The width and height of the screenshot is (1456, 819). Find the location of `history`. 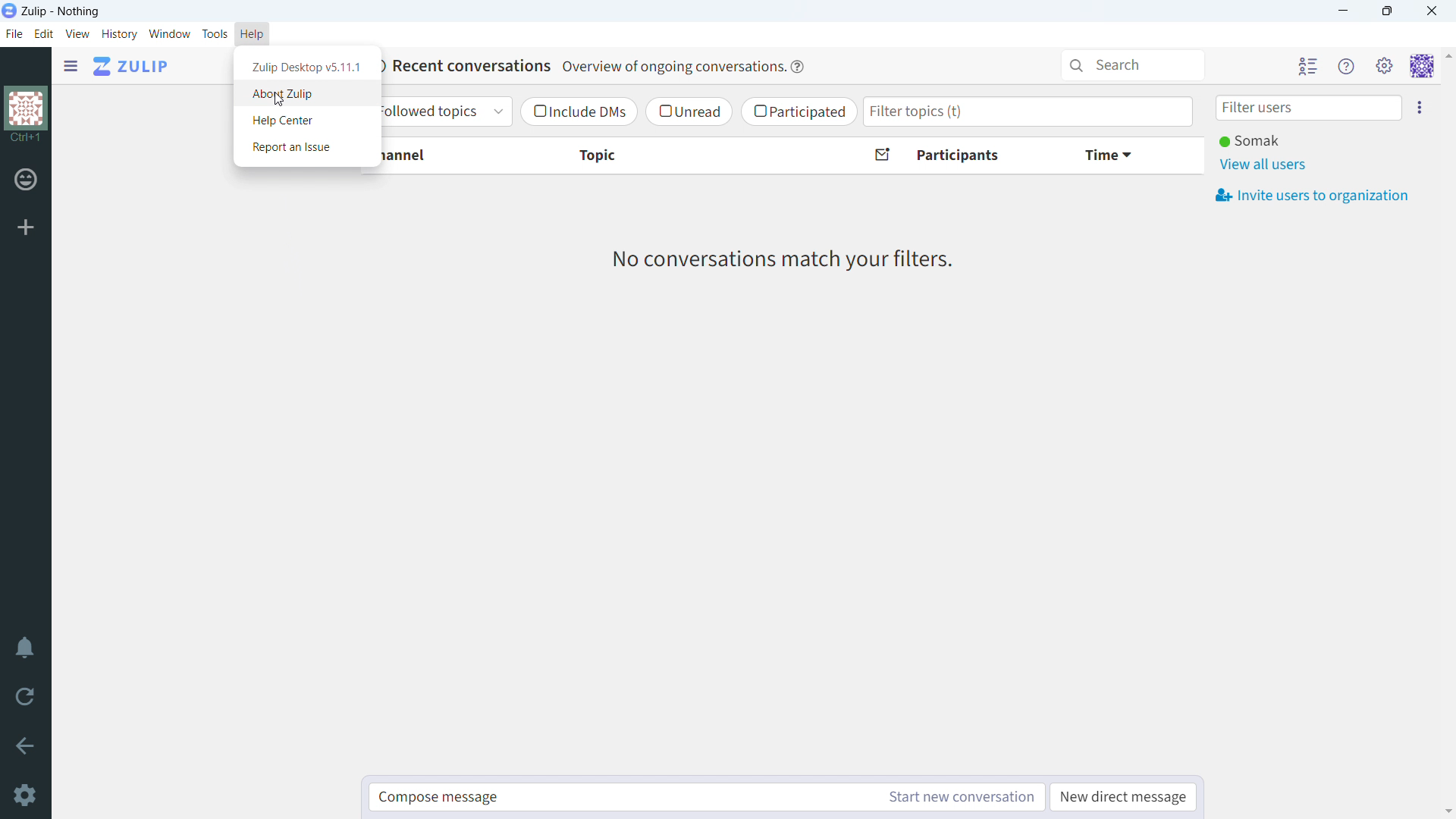

history is located at coordinates (120, 35).